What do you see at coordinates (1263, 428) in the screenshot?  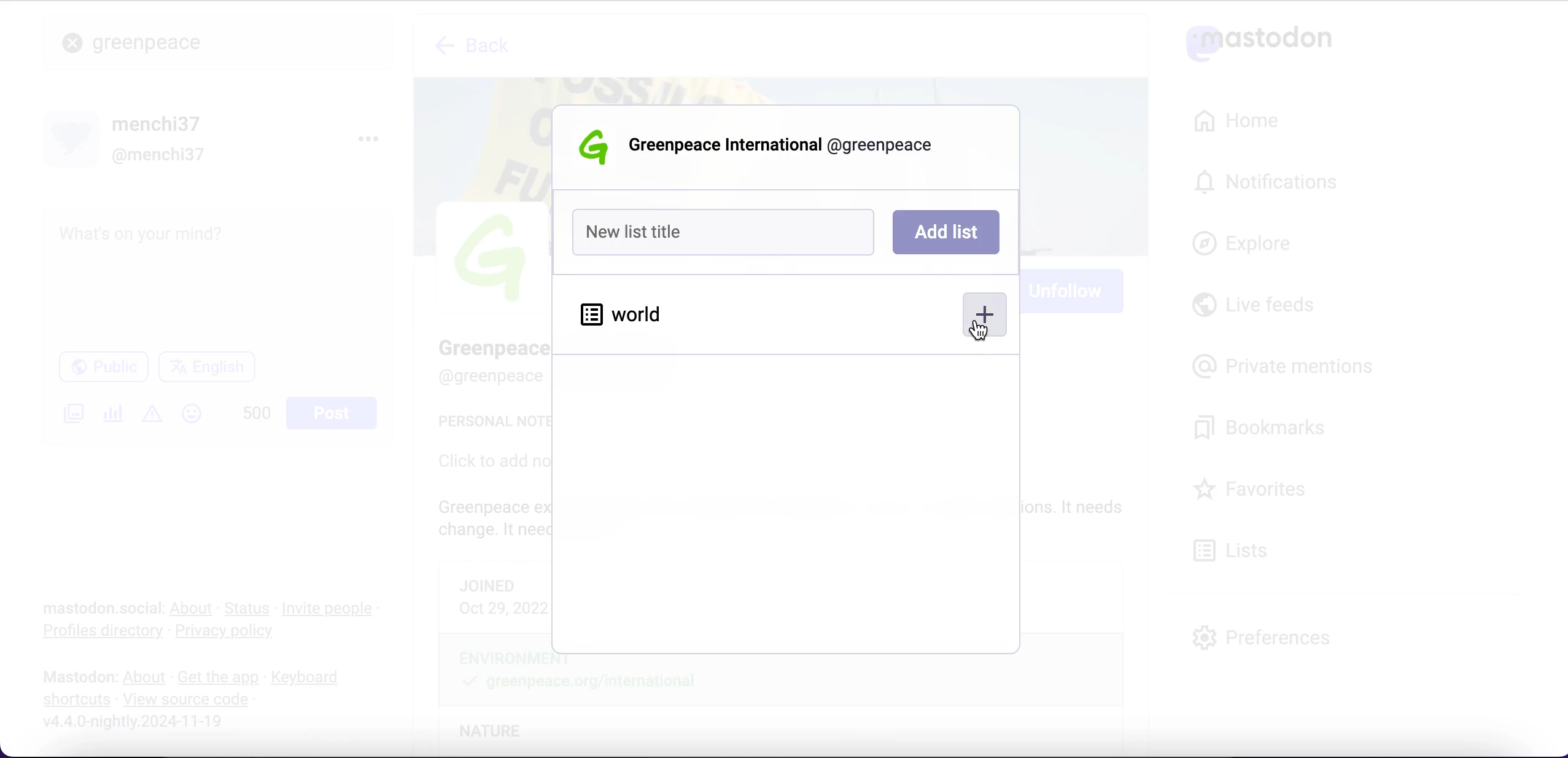 I see `bookmarks` at bounding box center [1263, 428].